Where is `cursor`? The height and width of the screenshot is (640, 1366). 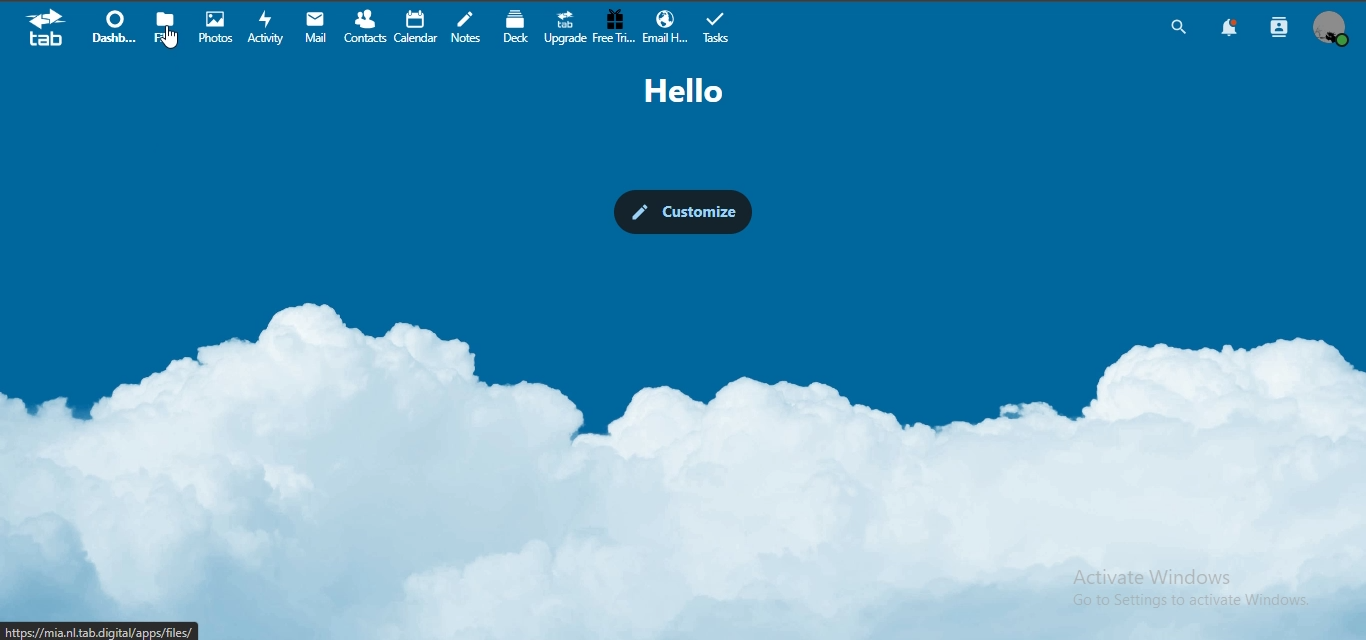
cursor is located at coordinates (170, 43).